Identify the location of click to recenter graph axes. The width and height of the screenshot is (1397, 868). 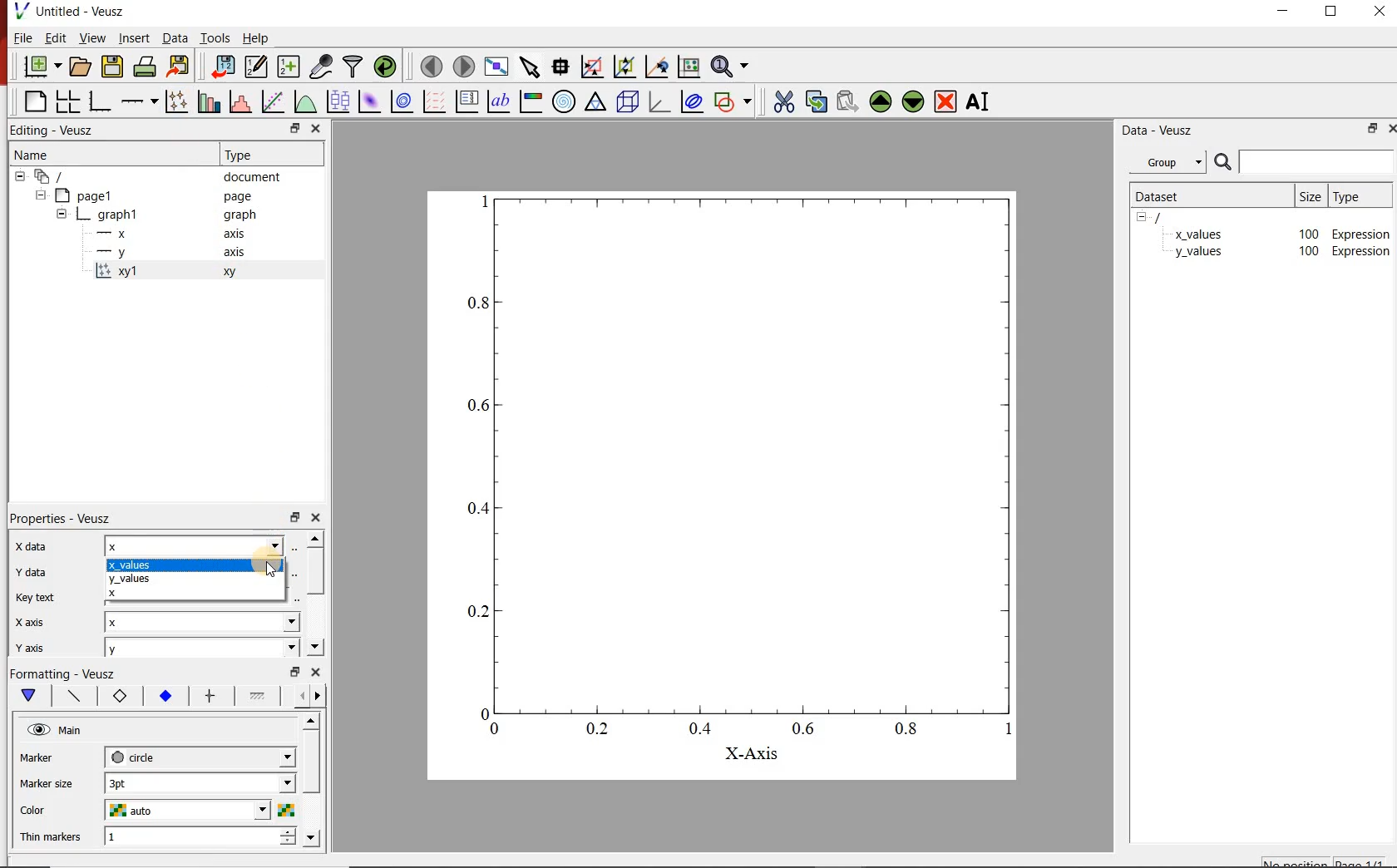
(656, 67).